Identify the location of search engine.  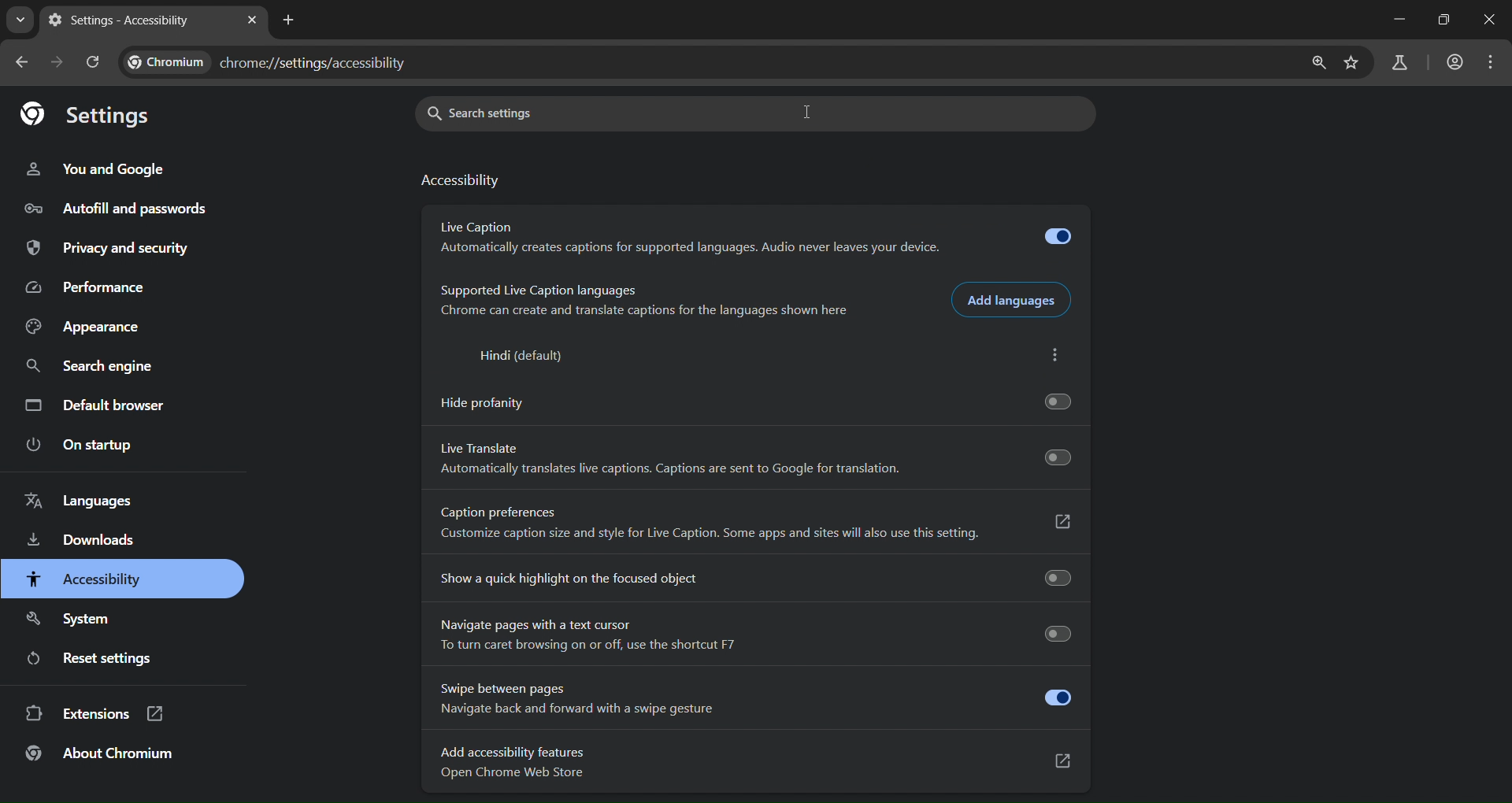
(98, 366).